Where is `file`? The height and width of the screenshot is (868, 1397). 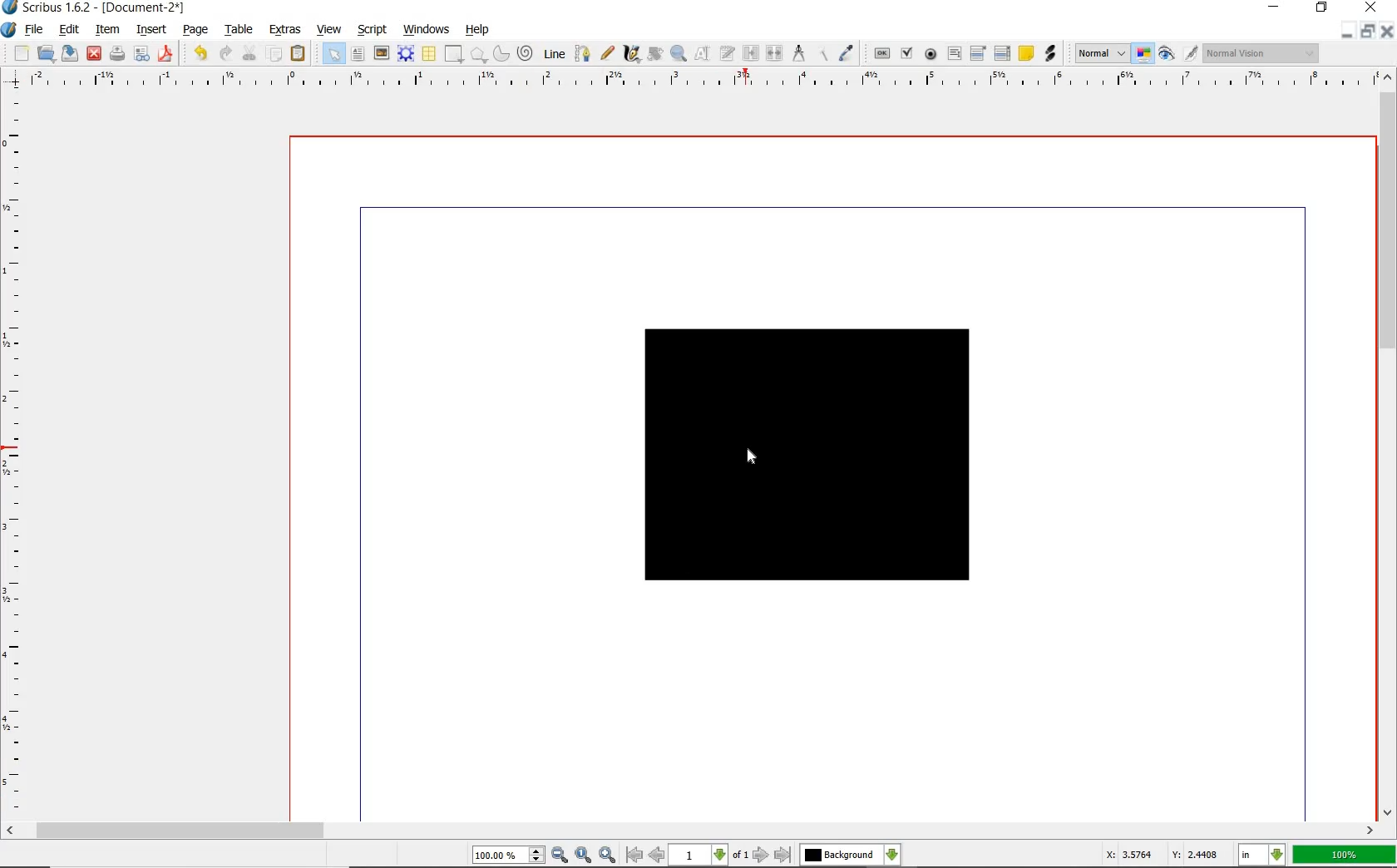 file is located at coordinates (35, 32).